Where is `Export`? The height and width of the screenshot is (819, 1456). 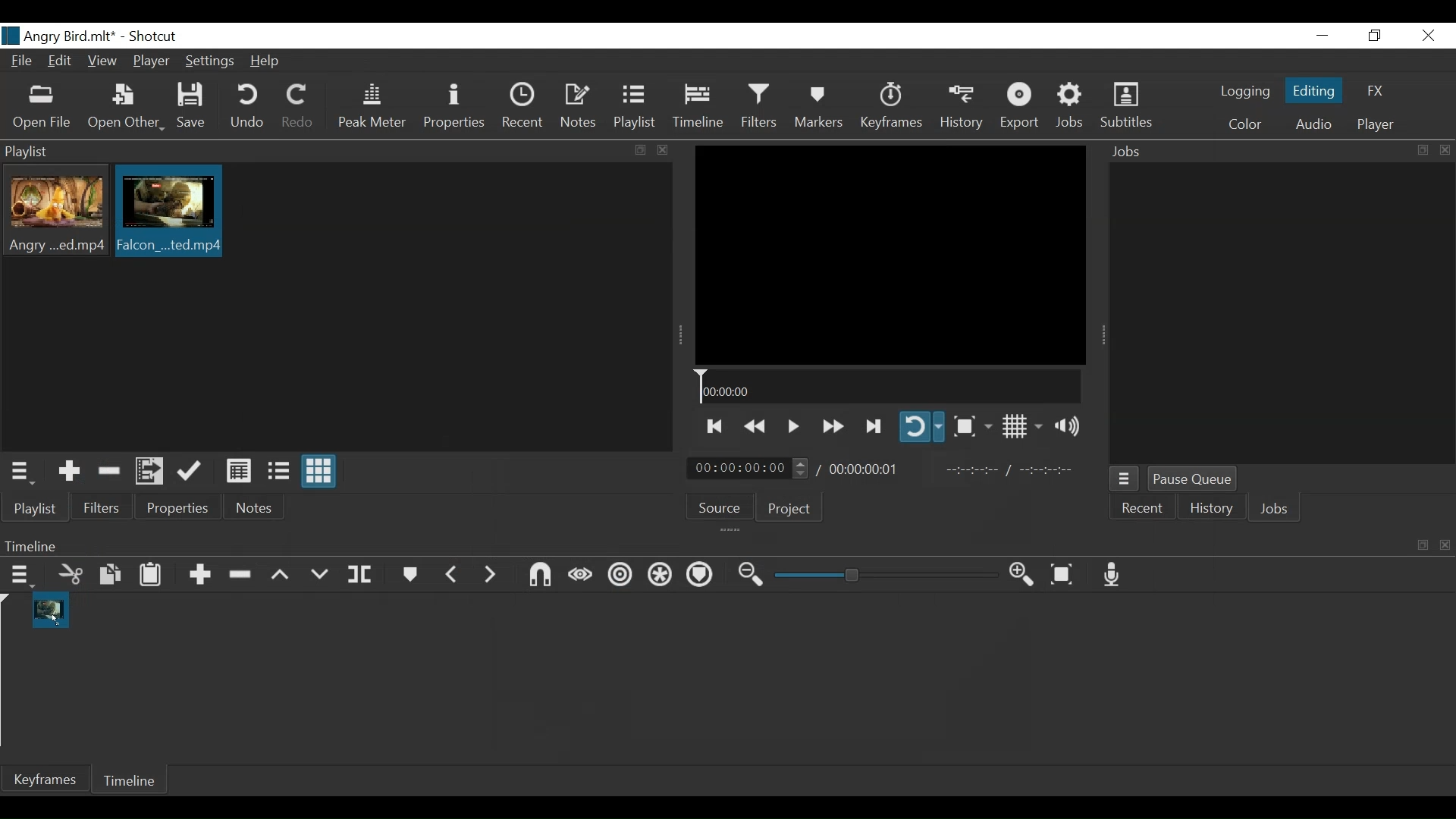
Export is located at coordinates (1020, 107).